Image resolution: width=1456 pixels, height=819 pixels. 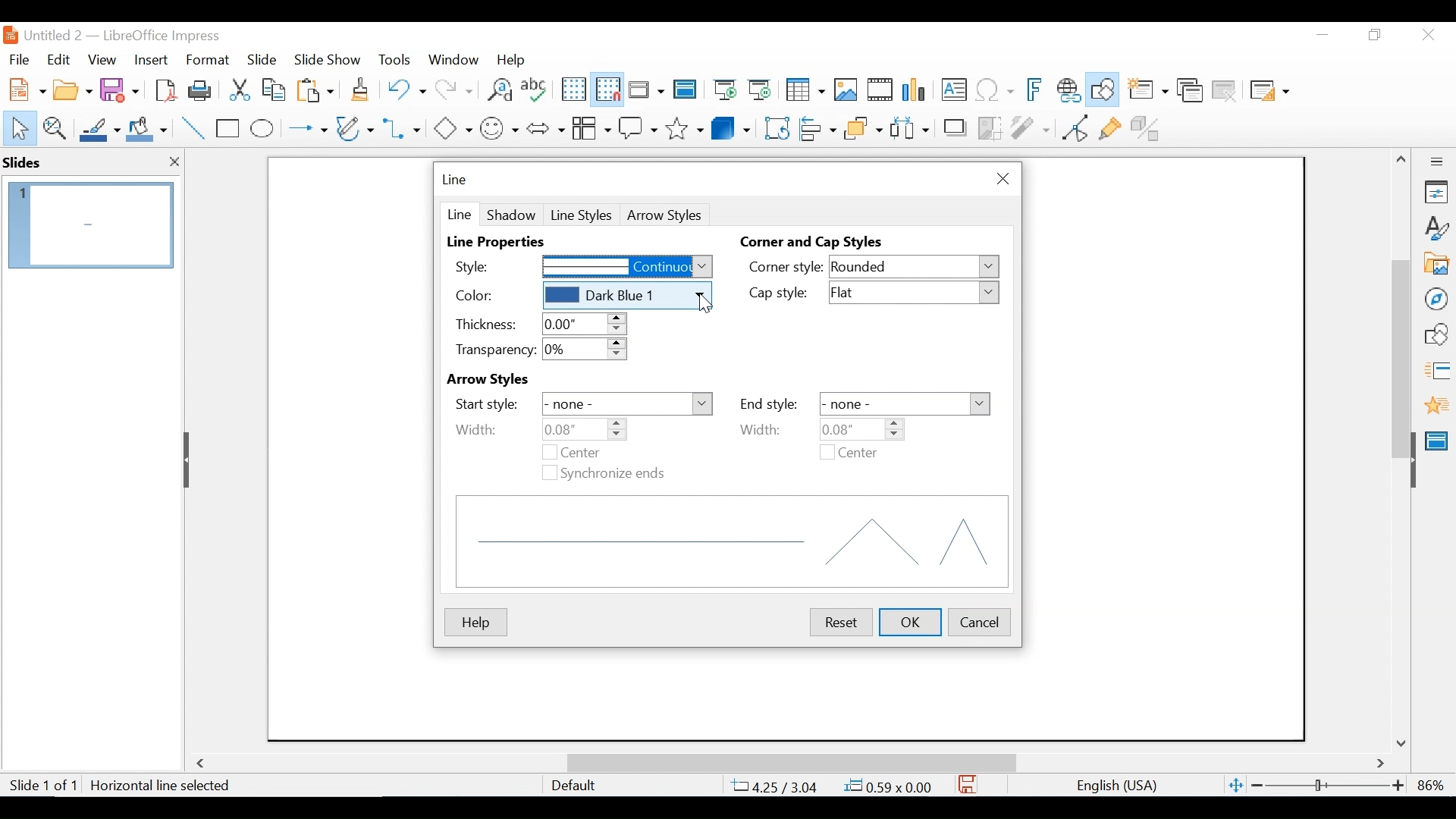 What do you see at coordinates (1072, 127) in the screenshot?
I see `Toggle point Endpoint` at bounding box center [1072, 127].